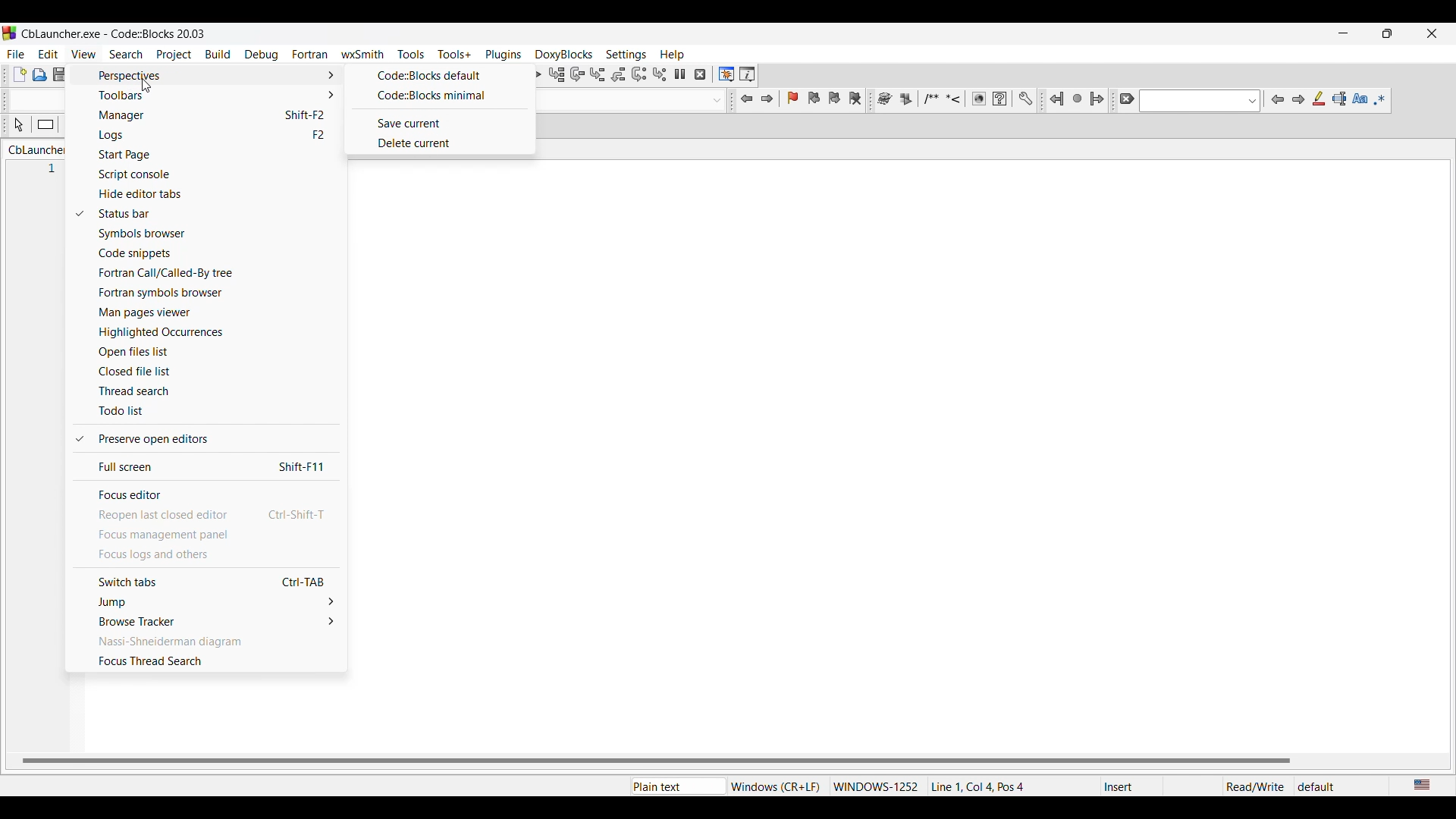 This screenshot has height=819, width=1456. What do you see at coordinates (454, 54) in the screenshot?
I see `Tools+ menu` at bounding box center [454, 54].